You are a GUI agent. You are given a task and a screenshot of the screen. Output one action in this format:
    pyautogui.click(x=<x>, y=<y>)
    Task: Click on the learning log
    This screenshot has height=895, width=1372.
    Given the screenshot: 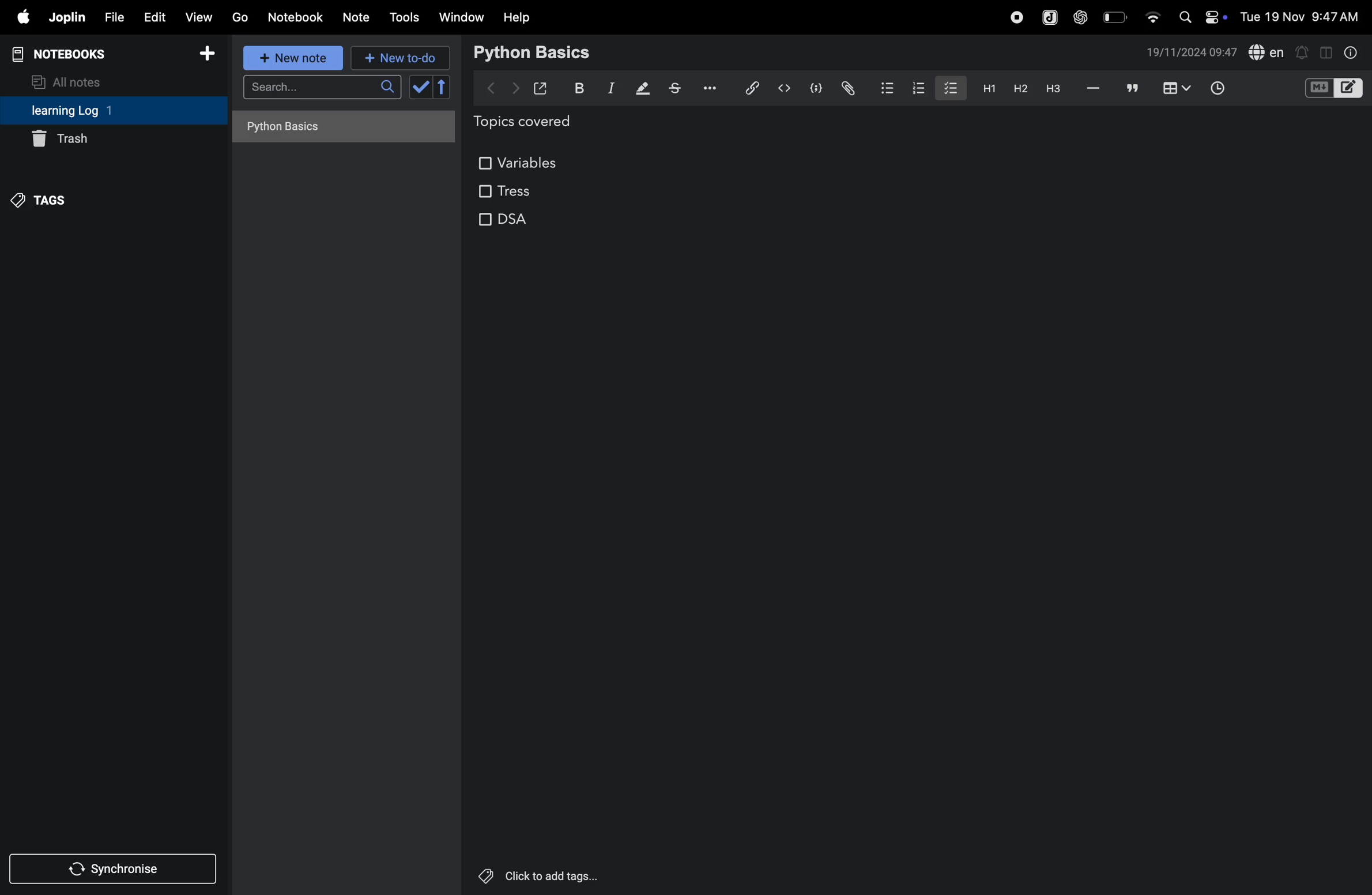 What is the action you would take?
    pyautogui.click(x=88, y=111)
    